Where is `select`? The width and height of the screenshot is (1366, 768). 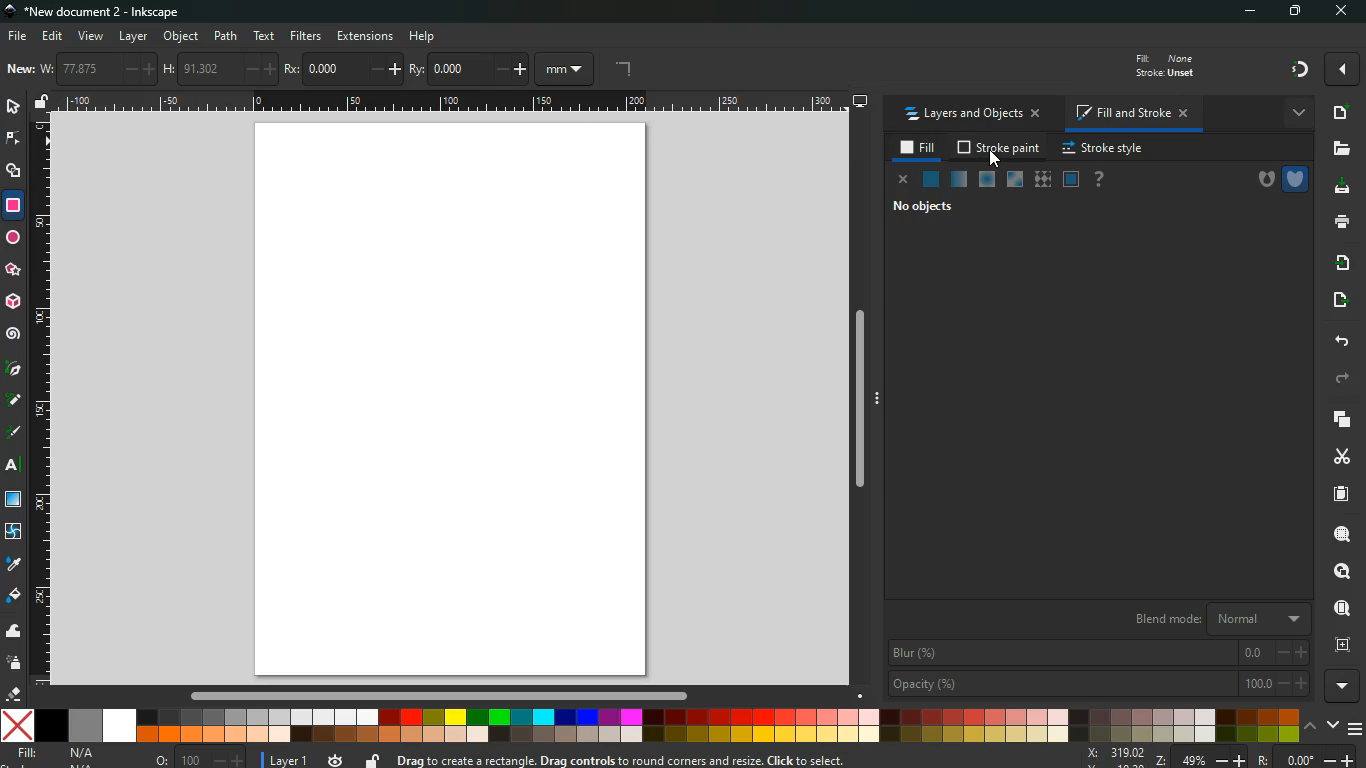
select is located at coordinates (12, 108).